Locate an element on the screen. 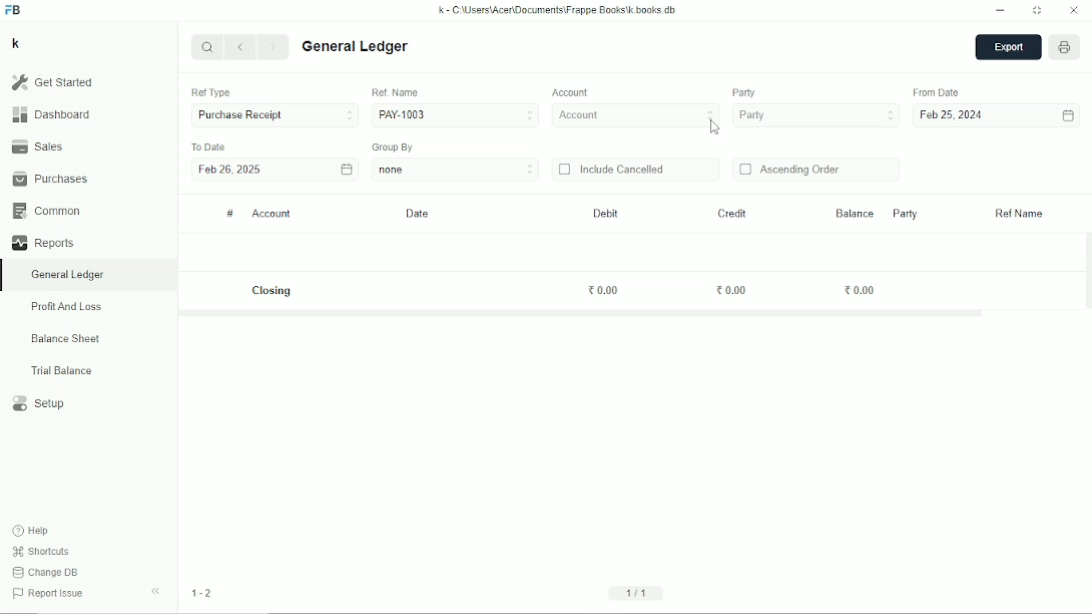 The image size is (1092, 614). k - C:\Users\Acer\Documents\Frappe books\k.books.db is located at coordinates (558, 10).